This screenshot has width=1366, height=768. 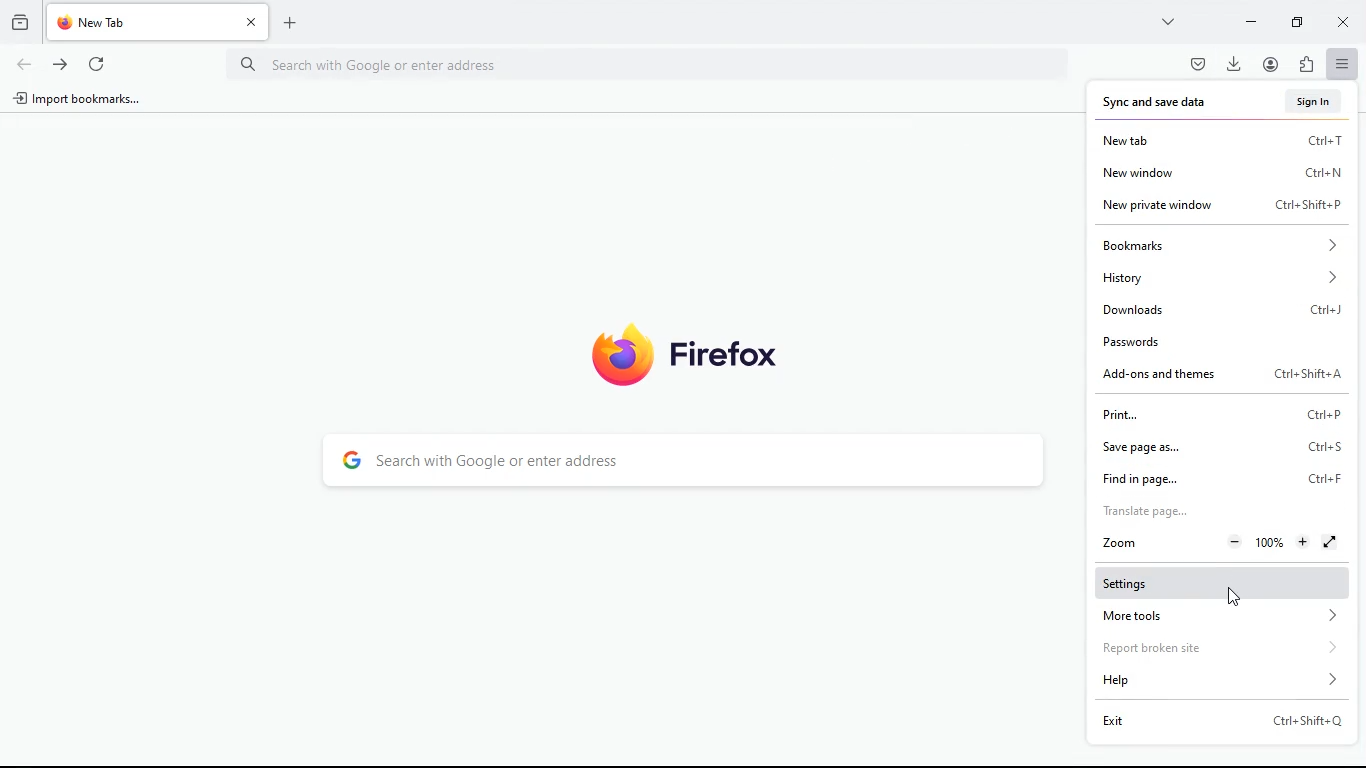 What do you see at coordinates (685, 353) in the screenshot?
I see `firefox` at bounding box center [685, 353].